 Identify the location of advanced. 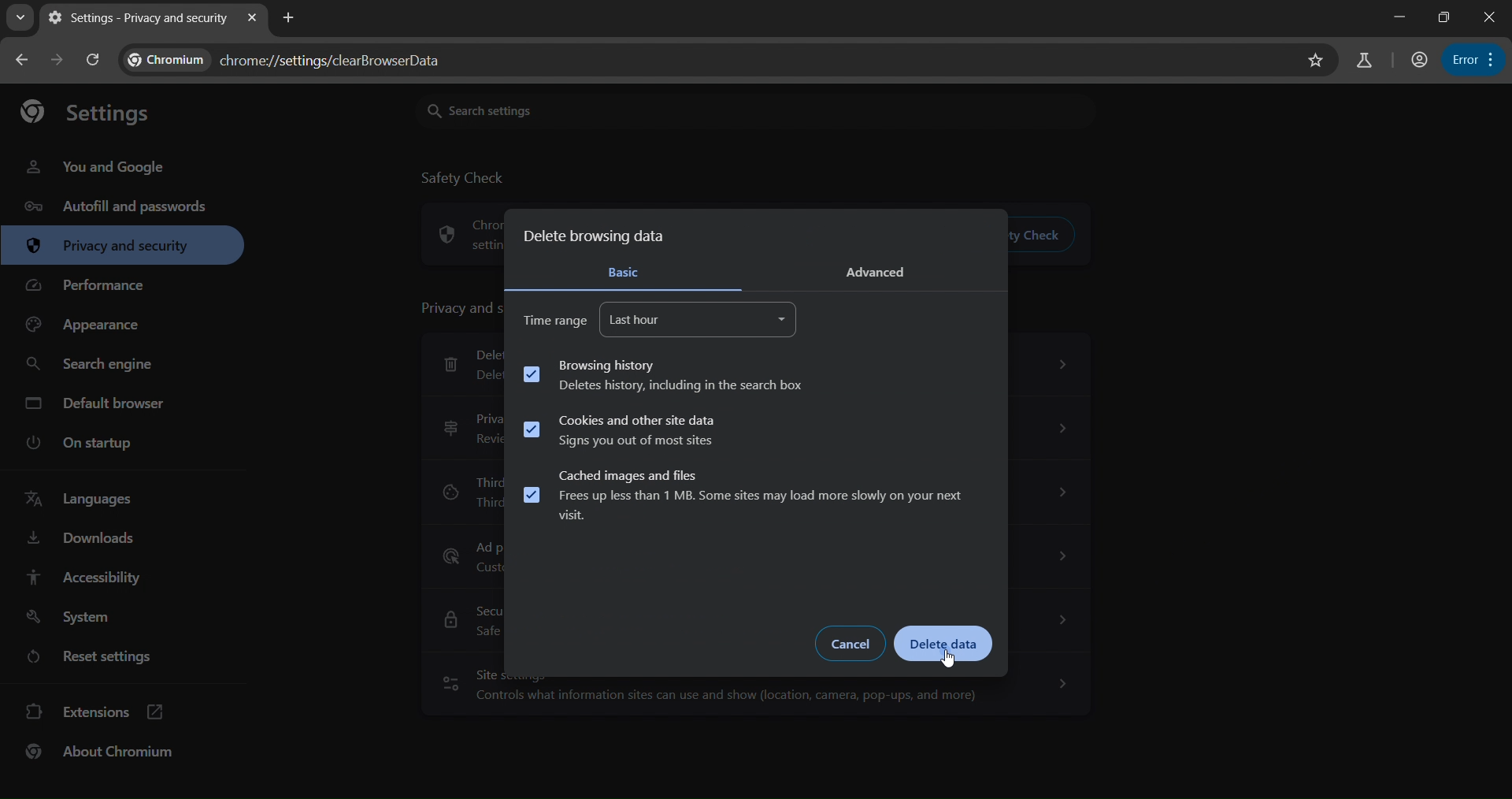
(883, 271).